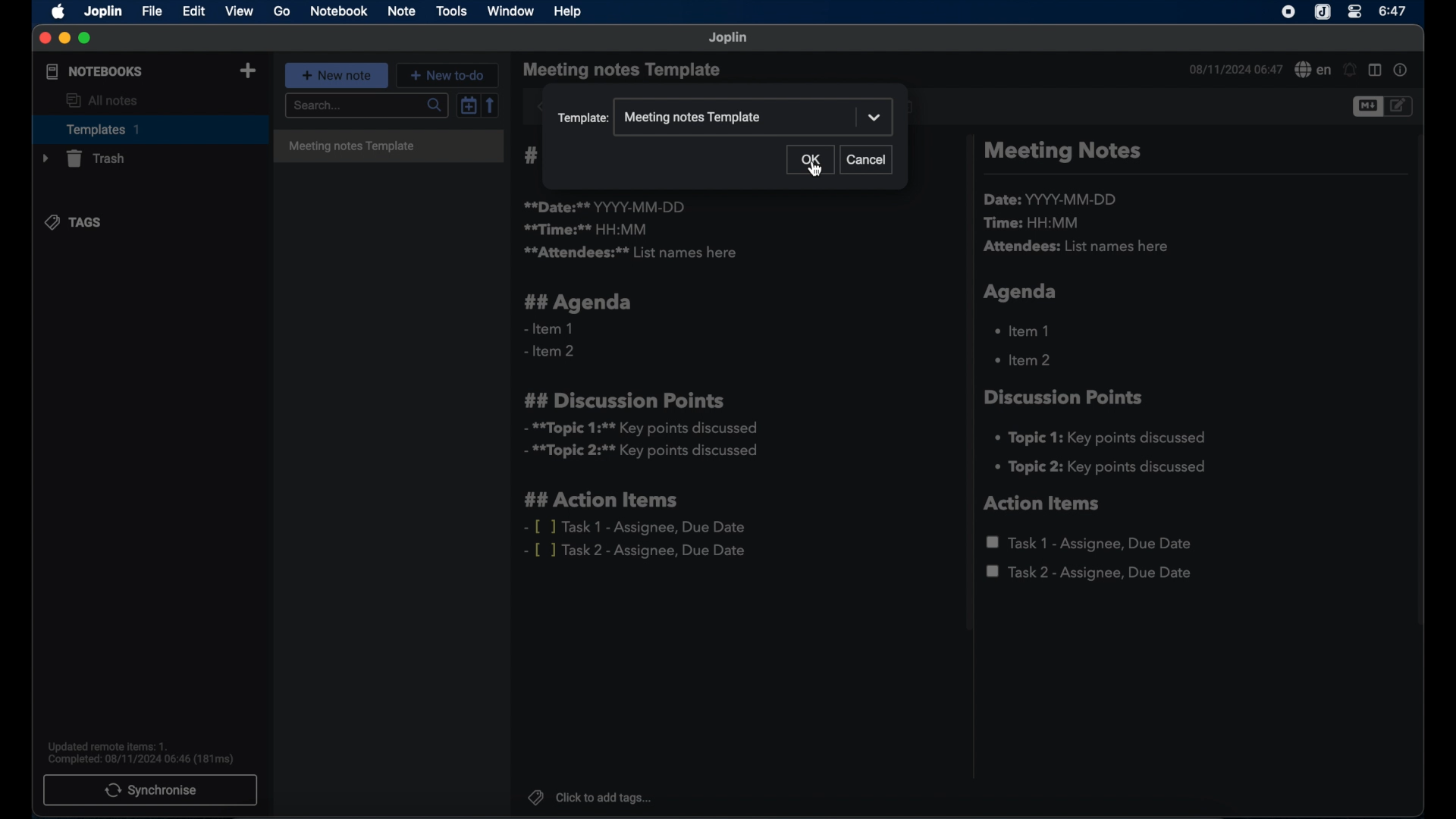 The image size is (1456, 819). What do you see at coordinates (1090, 573) in the screenshot?
I see `task 2 - assignee, due date` at bounding box center [1090, 573].